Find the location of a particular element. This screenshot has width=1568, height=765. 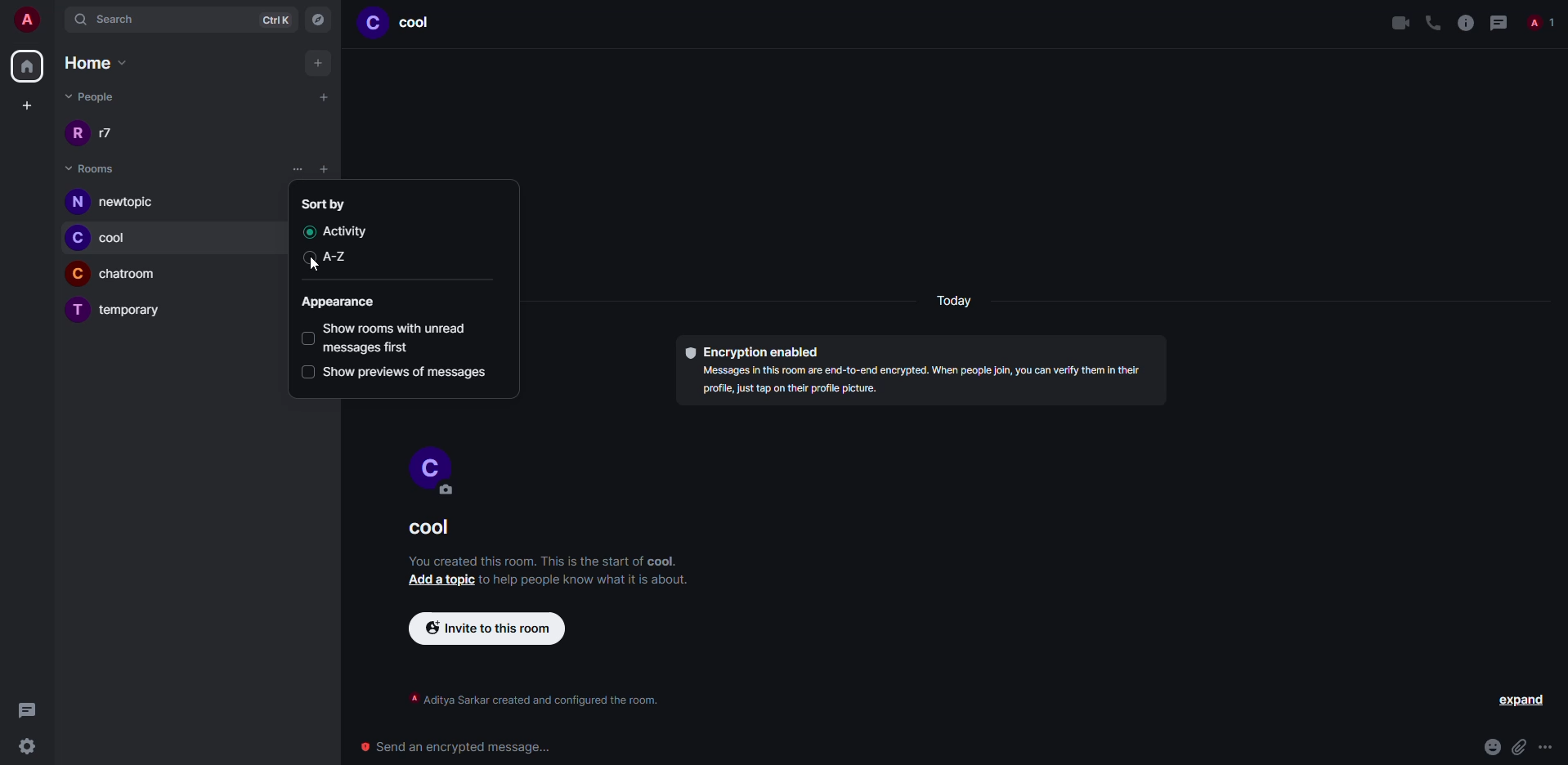

info is located at coordinates (587, 579).